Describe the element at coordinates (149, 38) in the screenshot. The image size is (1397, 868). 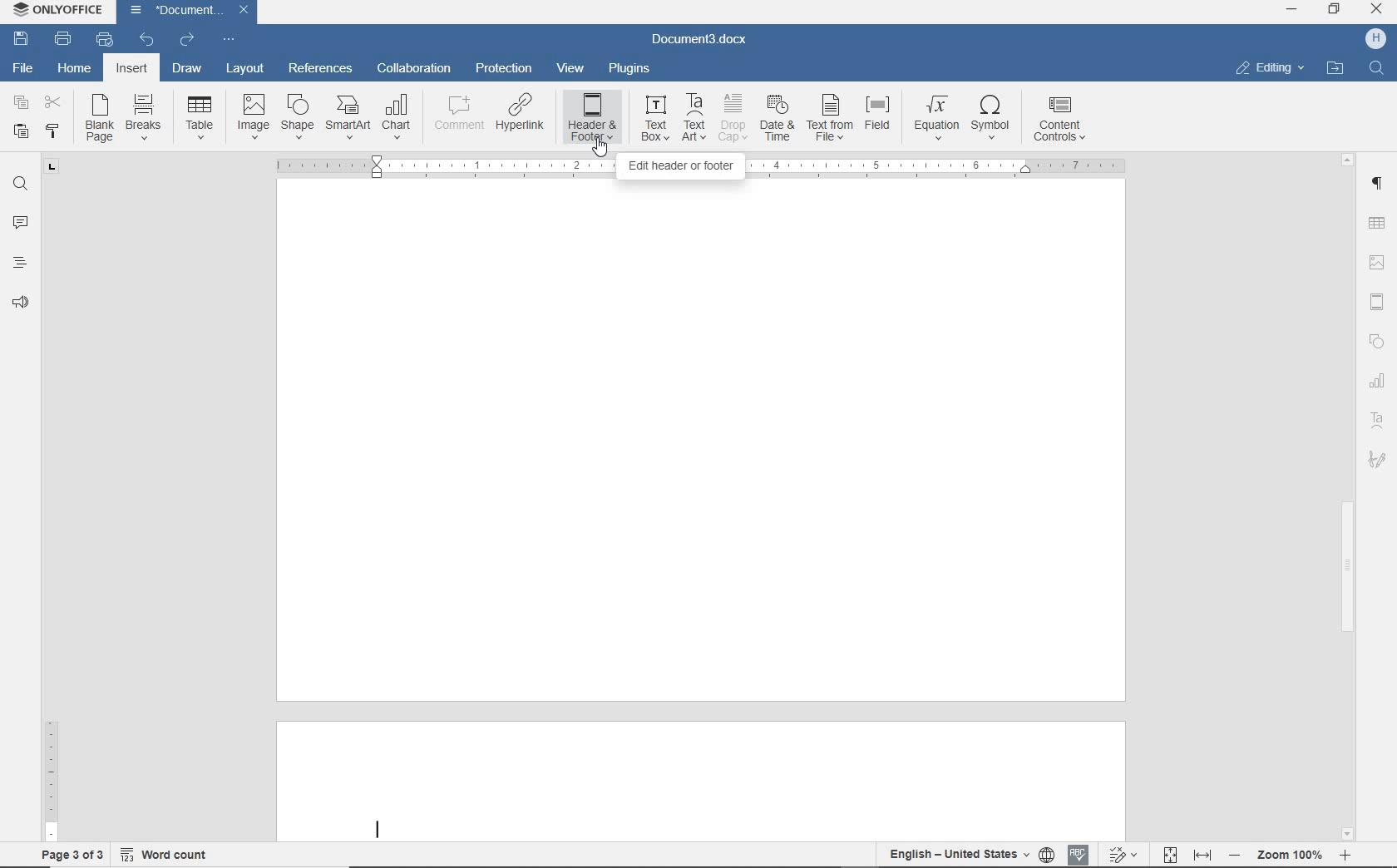
I see `UNDO` at that location.